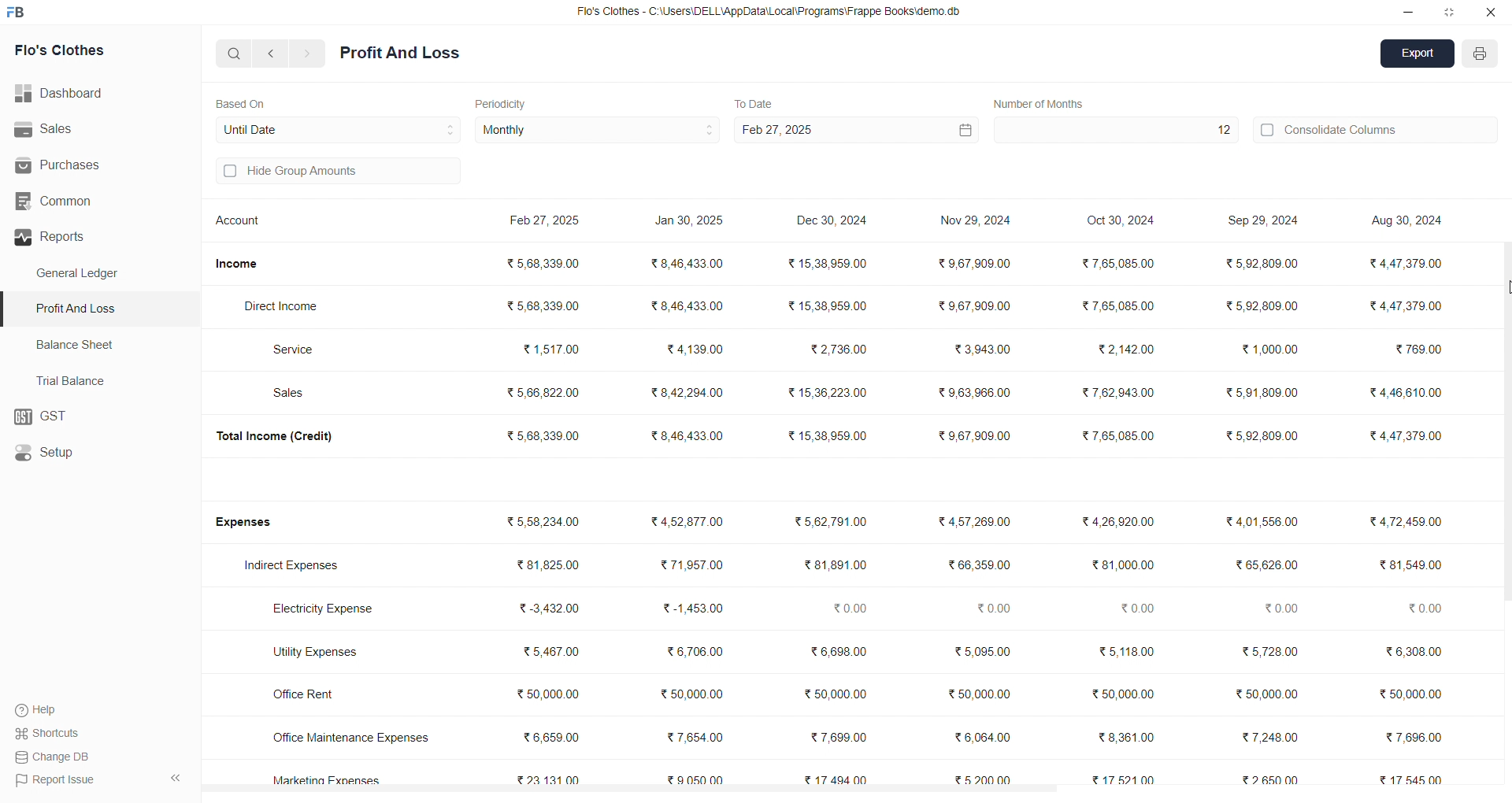 This screenshot has width=1512, height=803. I want to click on ₹0.00, so click(1143, 609).